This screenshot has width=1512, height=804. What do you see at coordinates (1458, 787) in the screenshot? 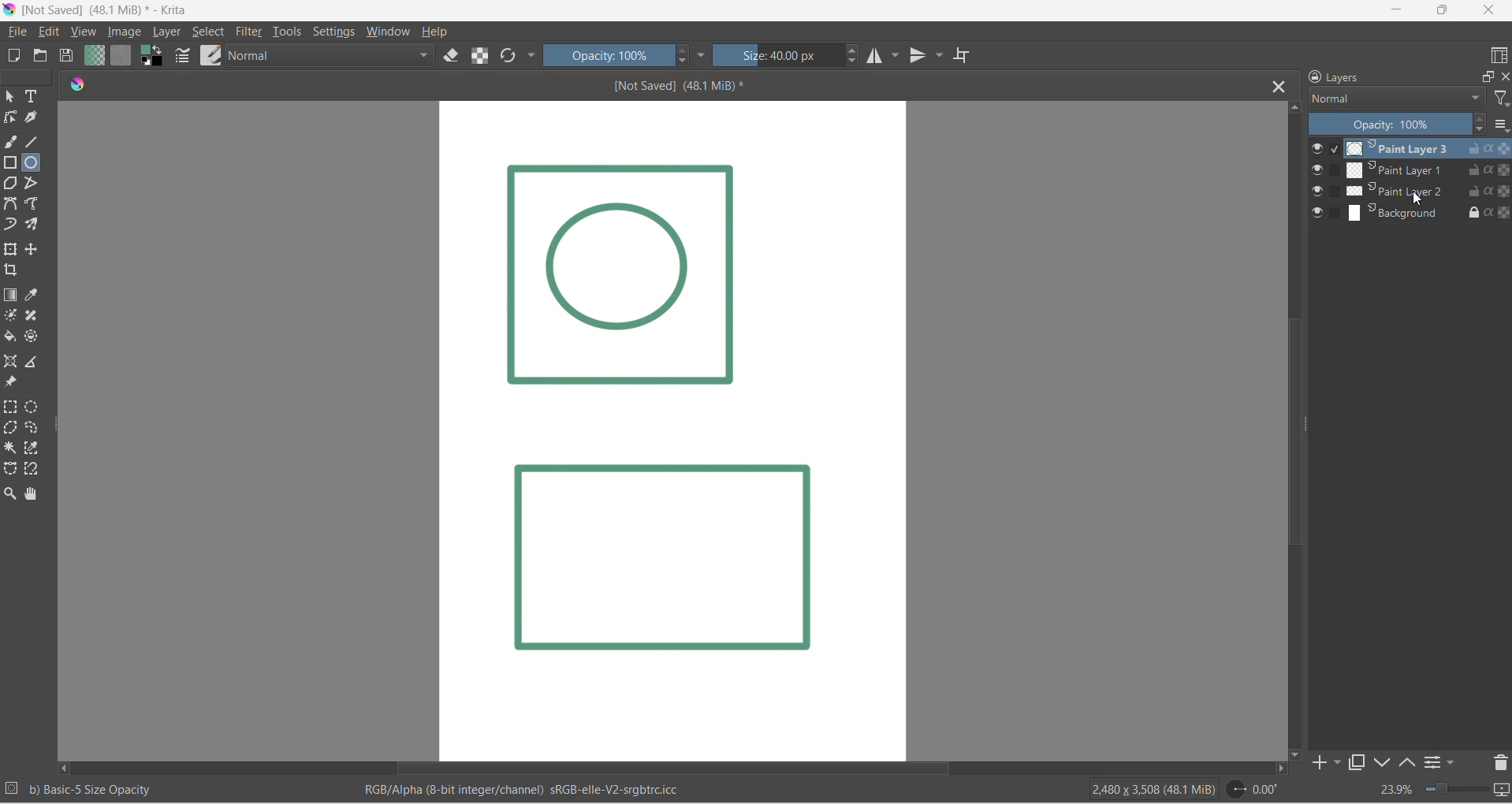
I see `zoom` at bounding box center [1458, 787].